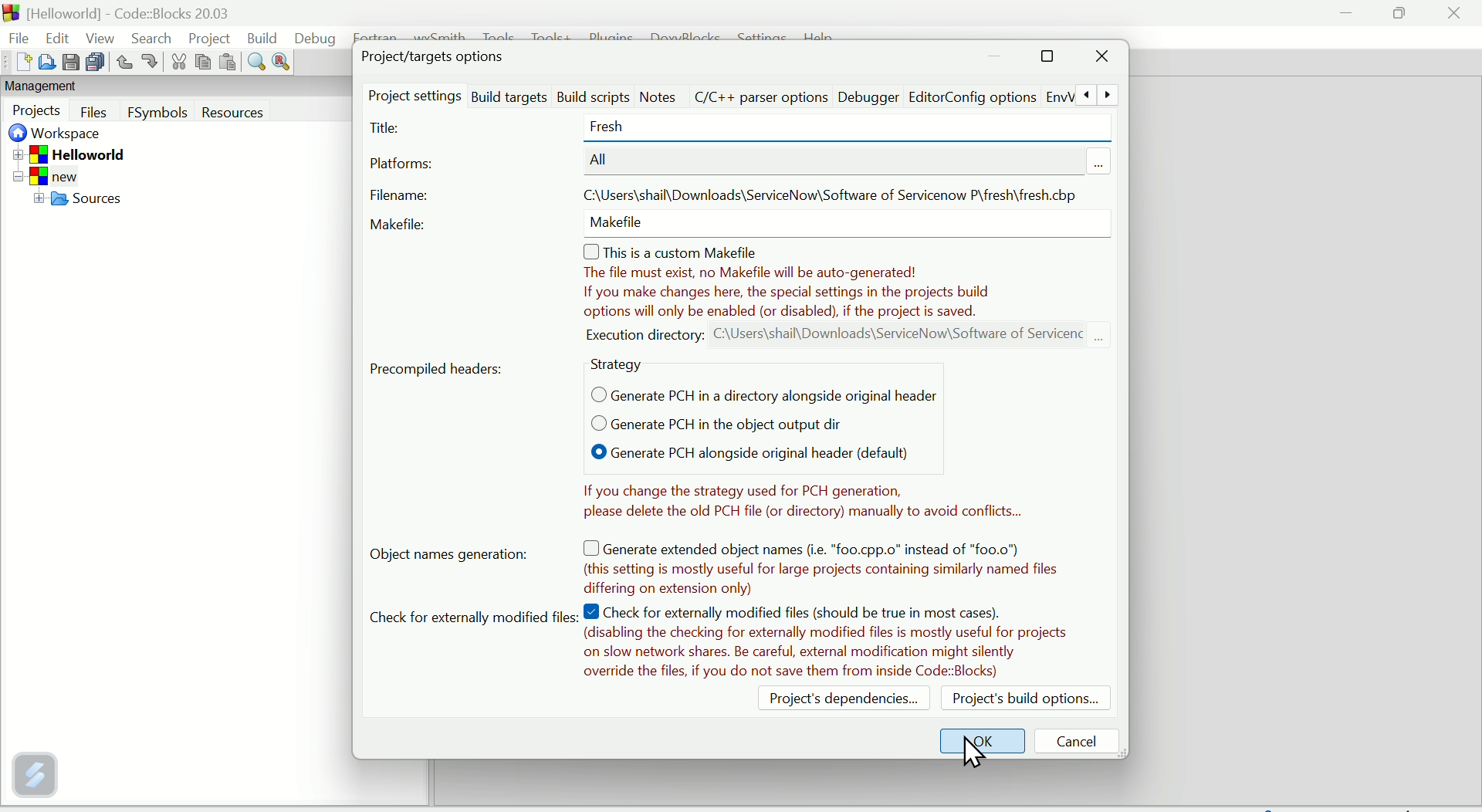  Describe the element at coordinates (471, 619) in the screenshot. I see `cheque for external modified file` at that location.